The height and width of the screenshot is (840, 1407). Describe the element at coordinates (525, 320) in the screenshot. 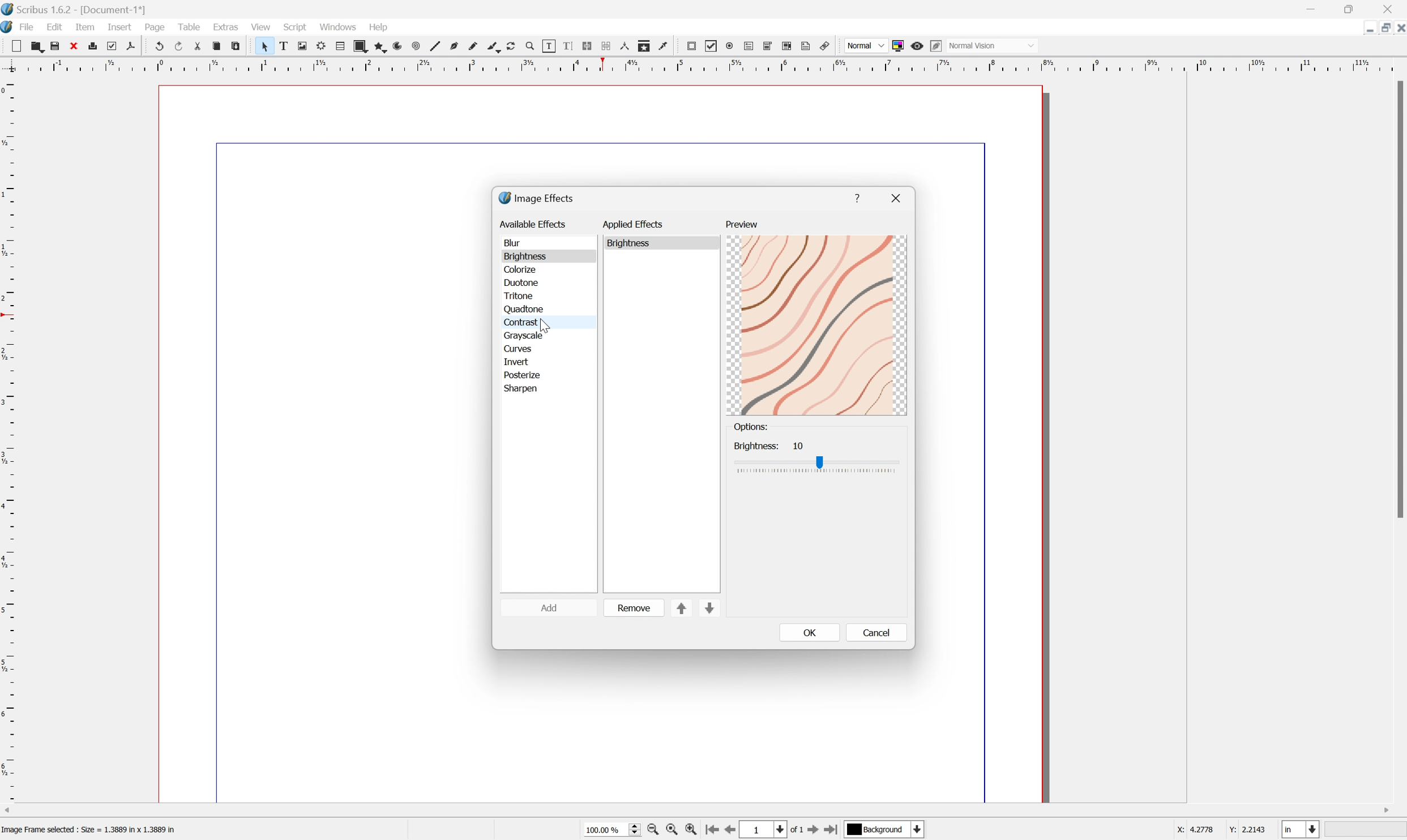

I see `contrast` at that location.